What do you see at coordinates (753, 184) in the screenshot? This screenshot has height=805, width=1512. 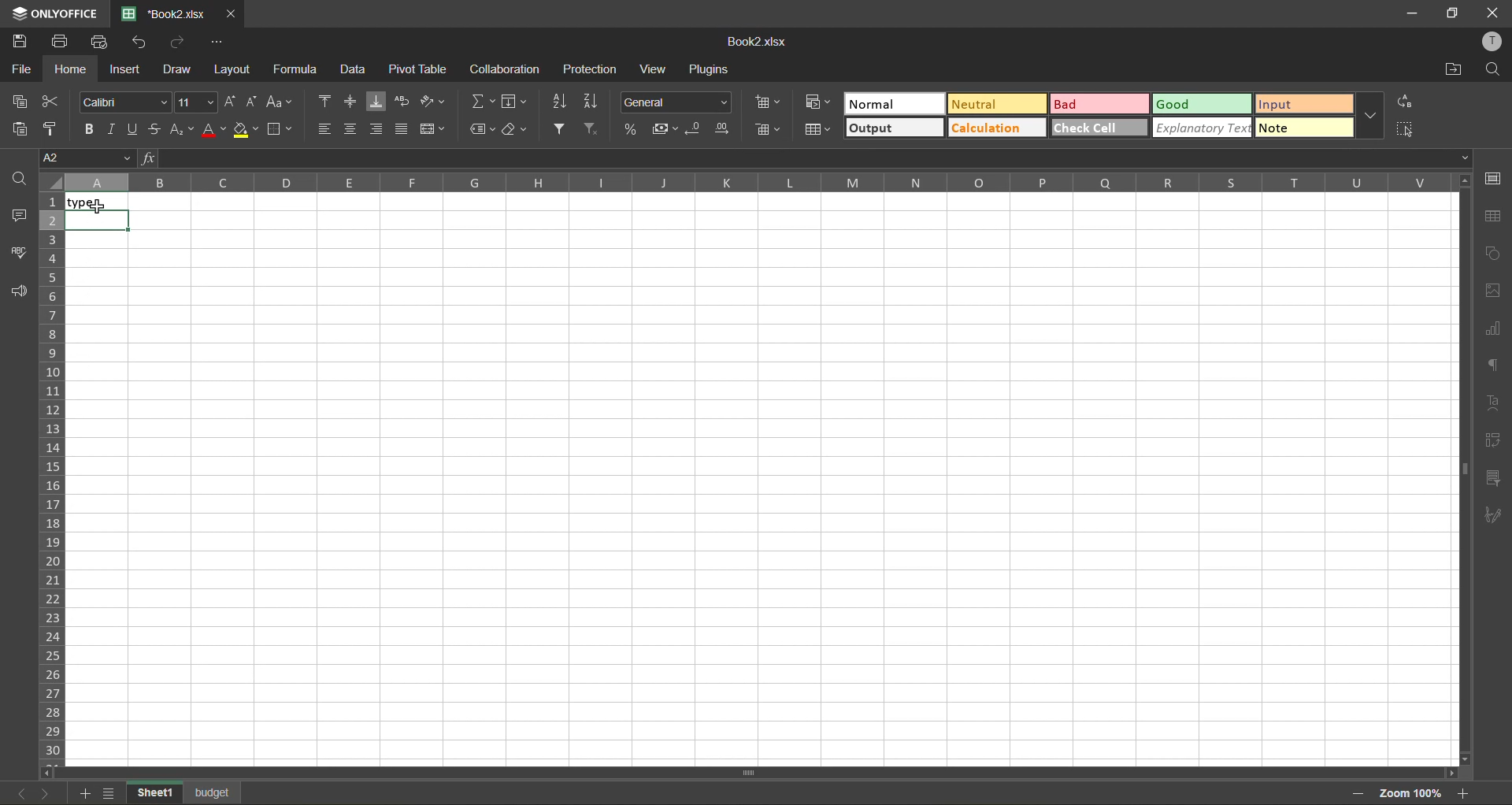 I see `column names` at bounding box center [753, 184].